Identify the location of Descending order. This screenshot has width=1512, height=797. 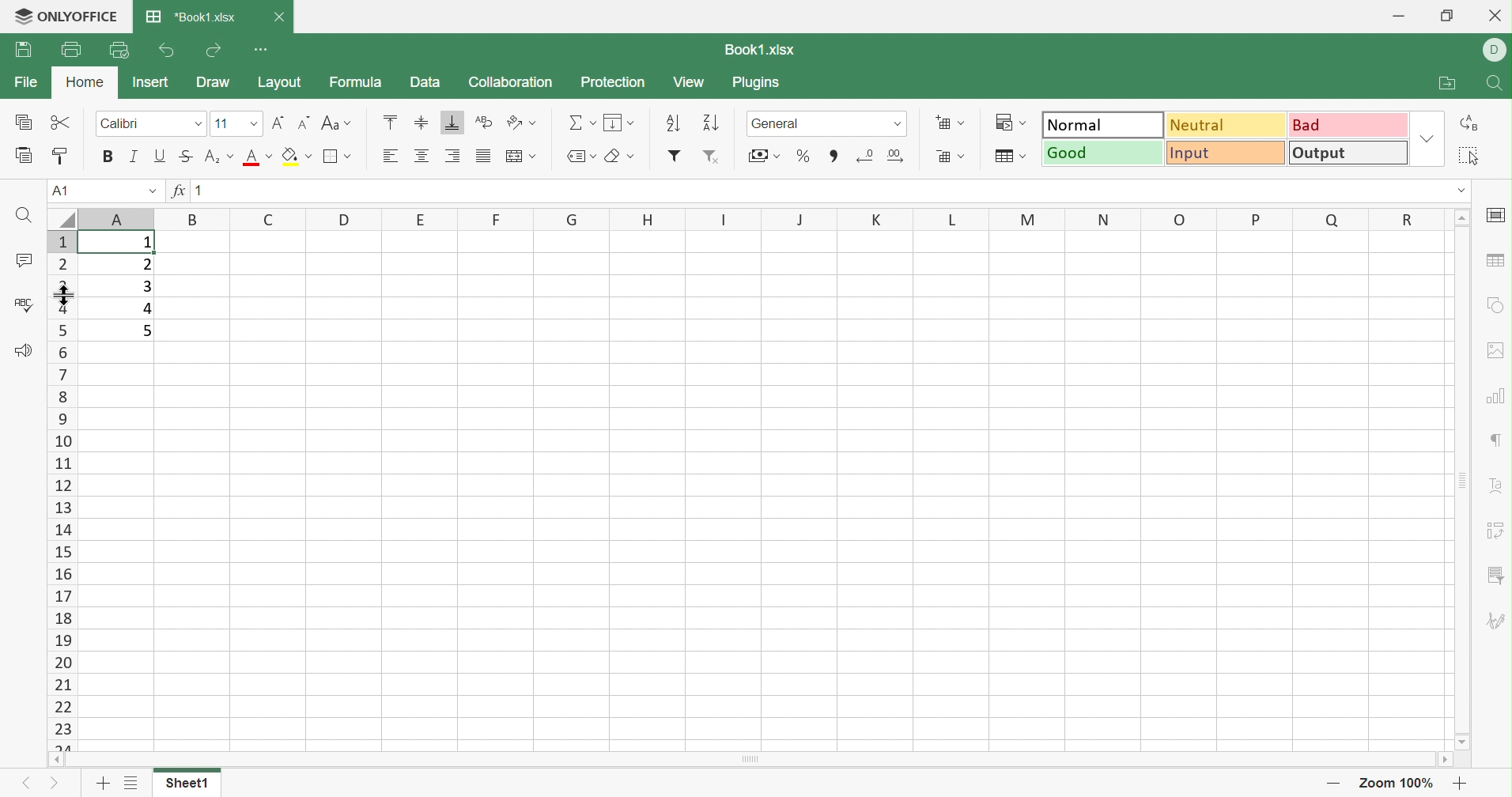
(712, 123).